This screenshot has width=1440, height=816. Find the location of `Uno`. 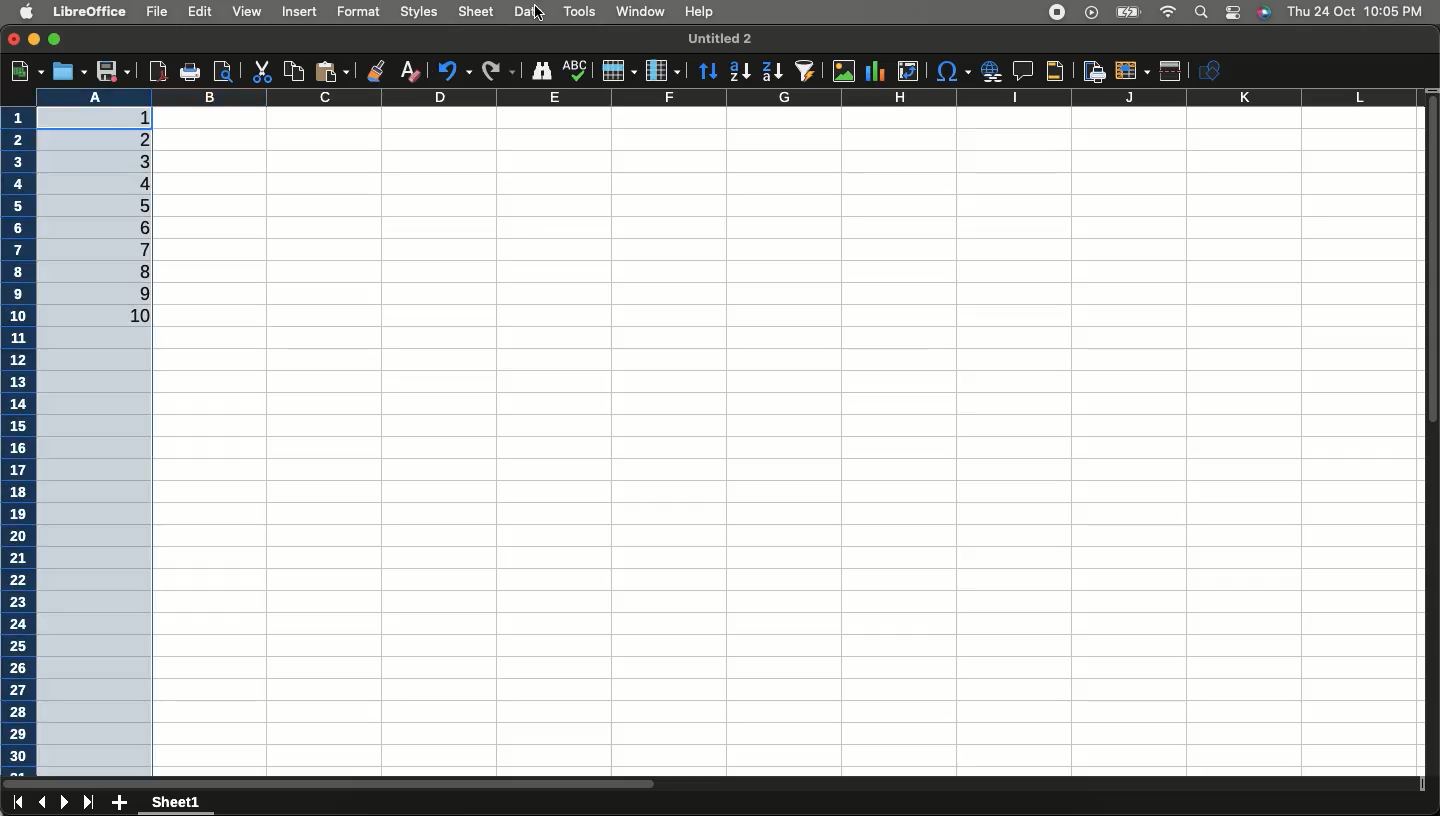

Uno is located at coordinates (455, 69).